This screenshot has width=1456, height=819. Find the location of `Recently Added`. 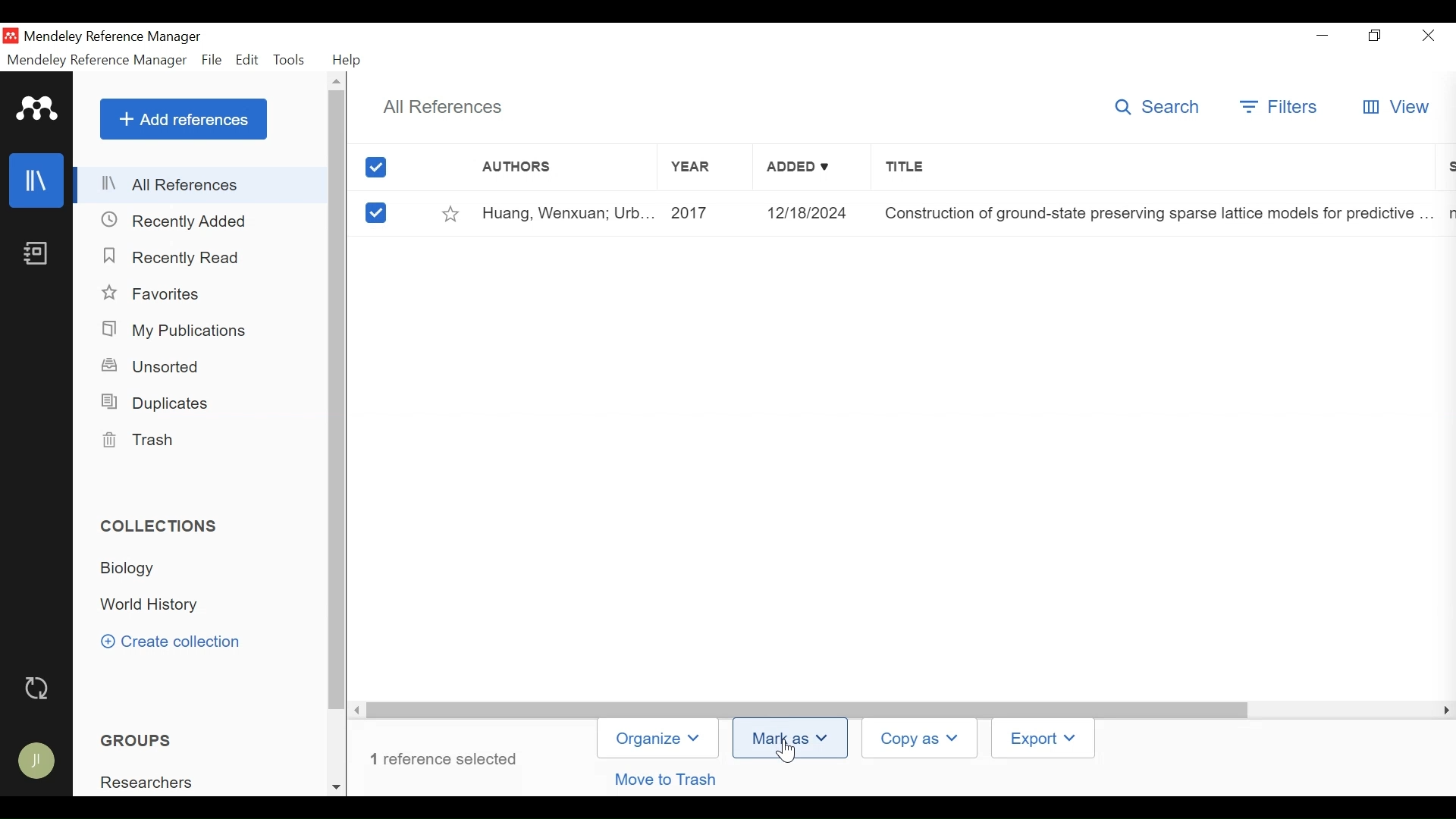

Recently Added is located at coordinates (174, 221).